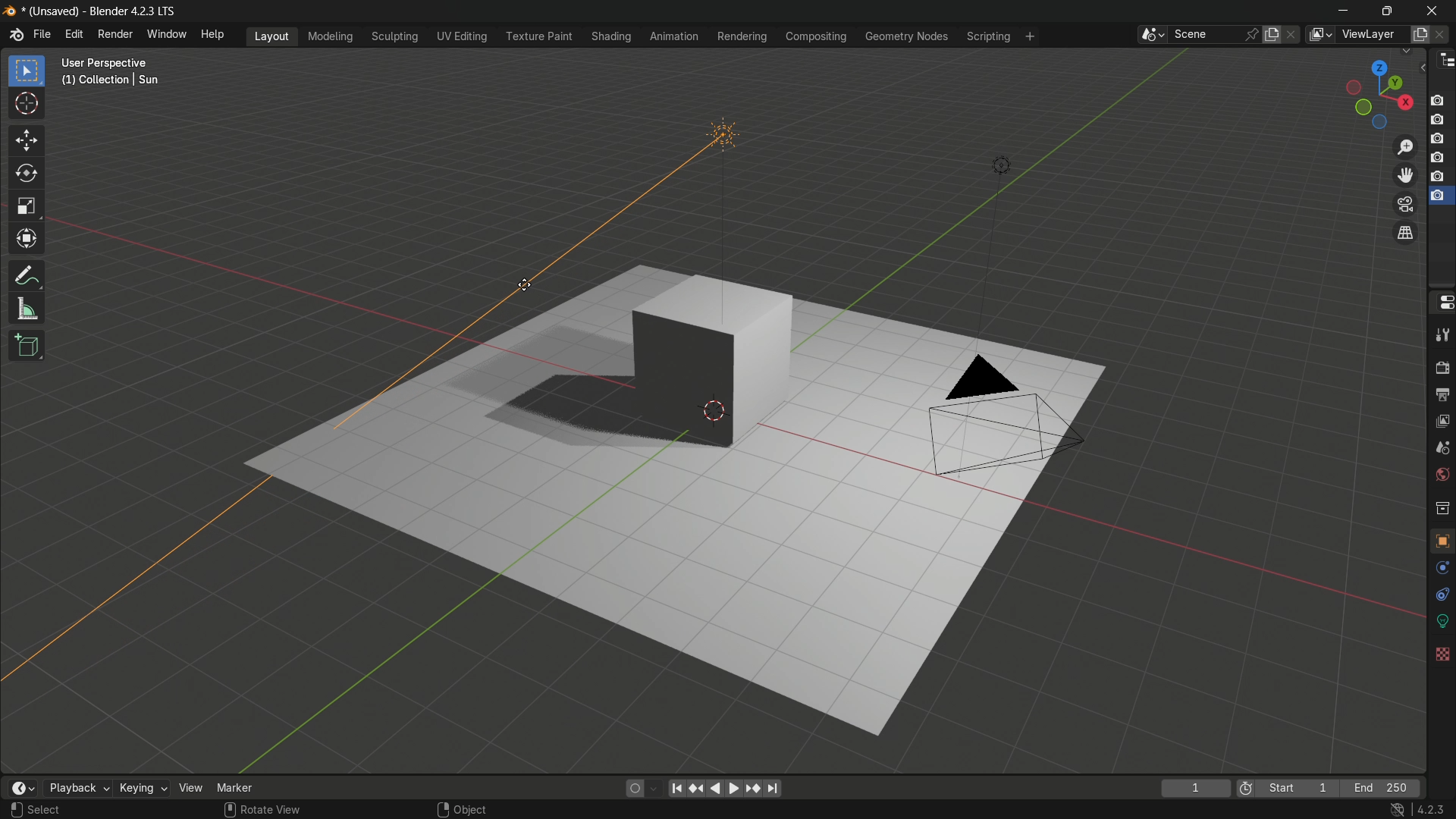 The width and height of the screenshot is (1456, 819). Describe the element at coordinates (1321, 35) in the screenshot. I see `view layer` at that location.